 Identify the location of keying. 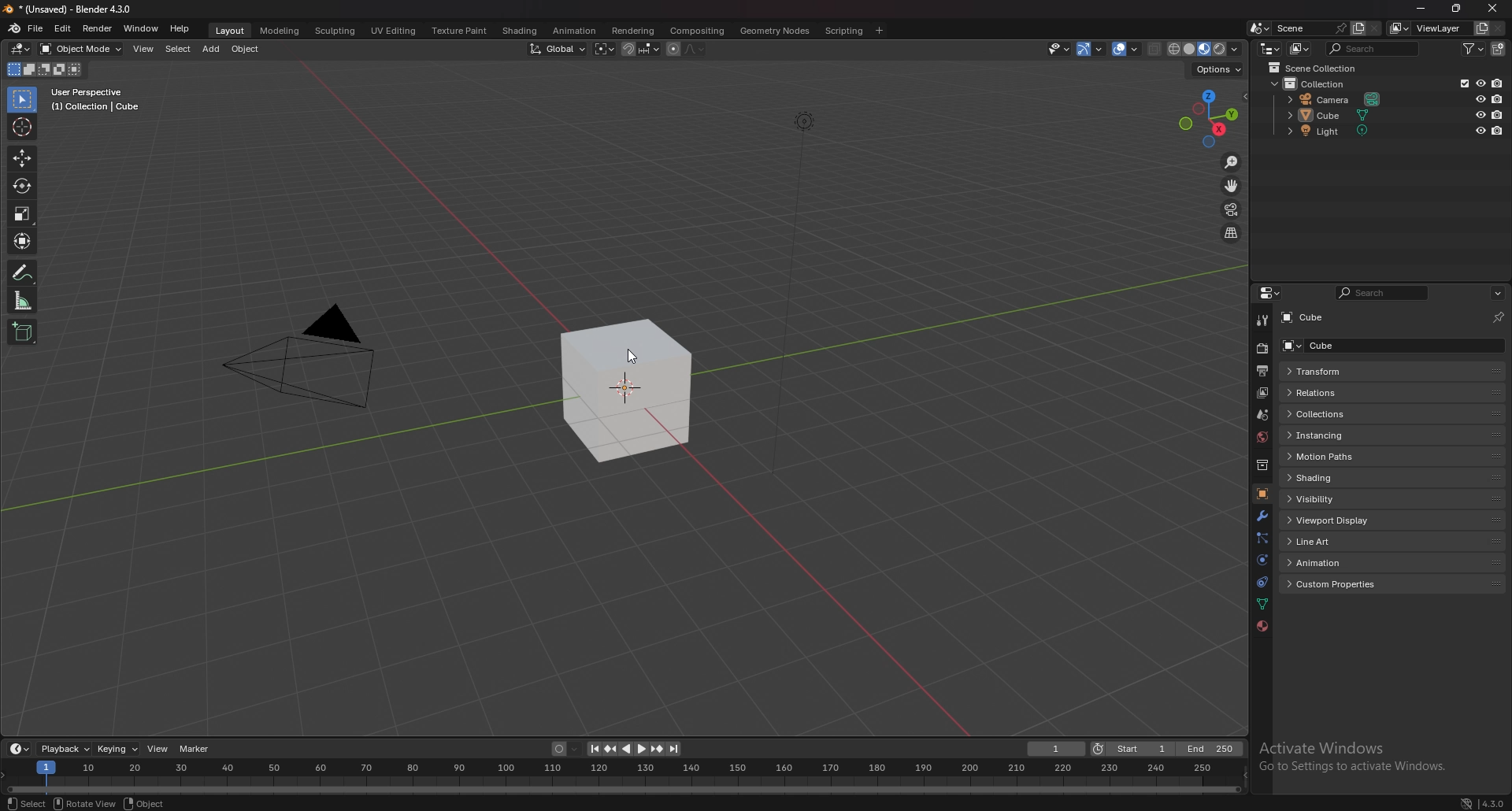
(117, 749).